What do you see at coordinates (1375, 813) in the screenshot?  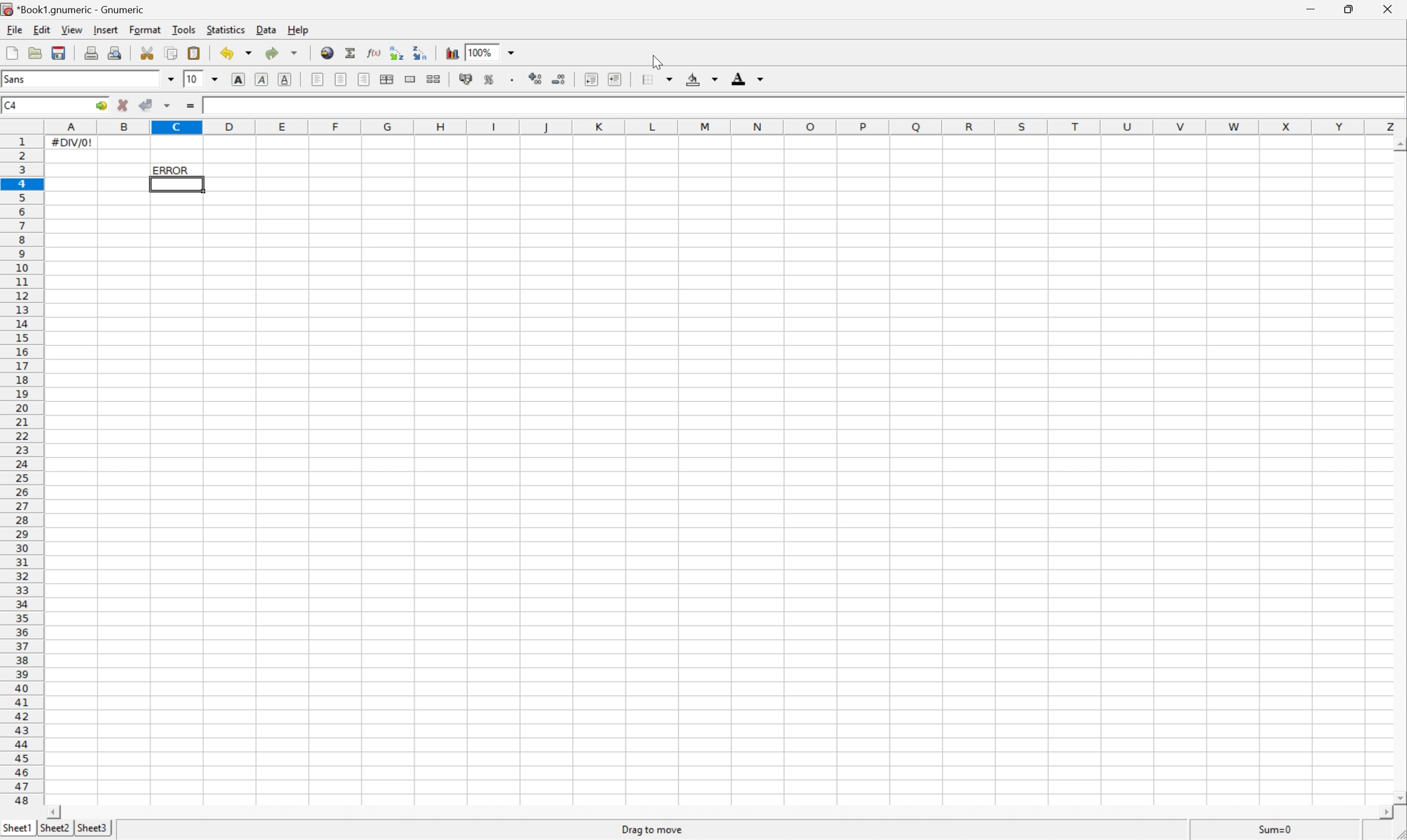 I see `Scroll right` at bounding box center [1375, 813].